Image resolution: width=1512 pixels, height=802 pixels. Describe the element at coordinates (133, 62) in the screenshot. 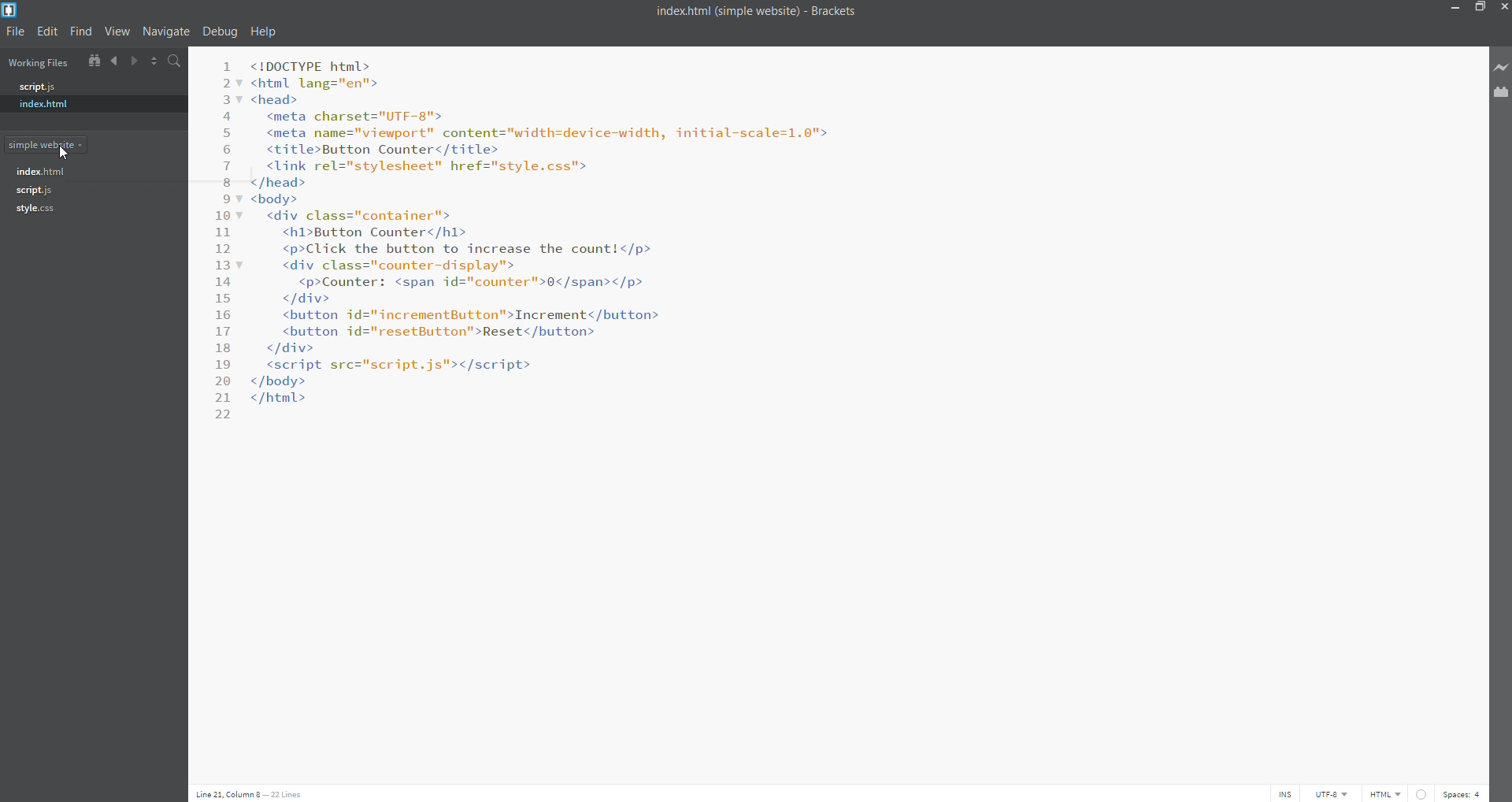

I see `navigate forward` at that location.